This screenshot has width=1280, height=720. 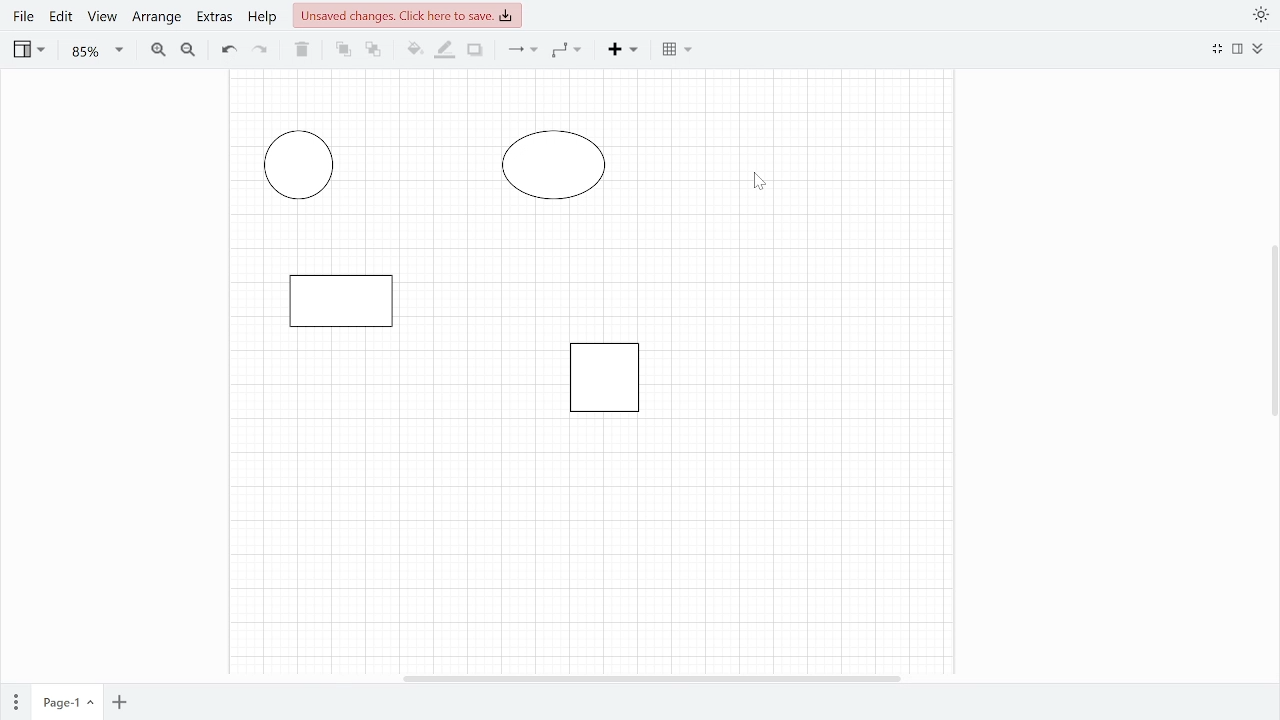 I want to click on Connection, so click(x=522, y=49).